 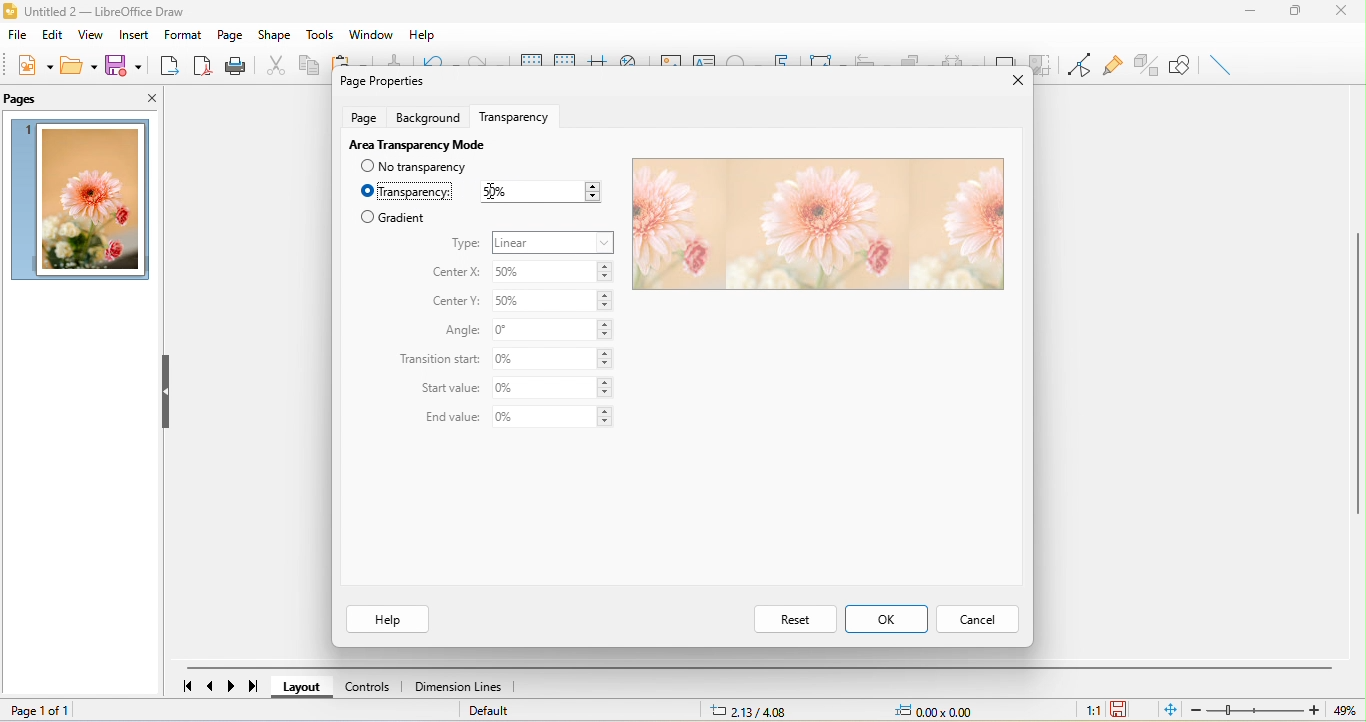 I want to click on insert, so click(x=138, y=33).